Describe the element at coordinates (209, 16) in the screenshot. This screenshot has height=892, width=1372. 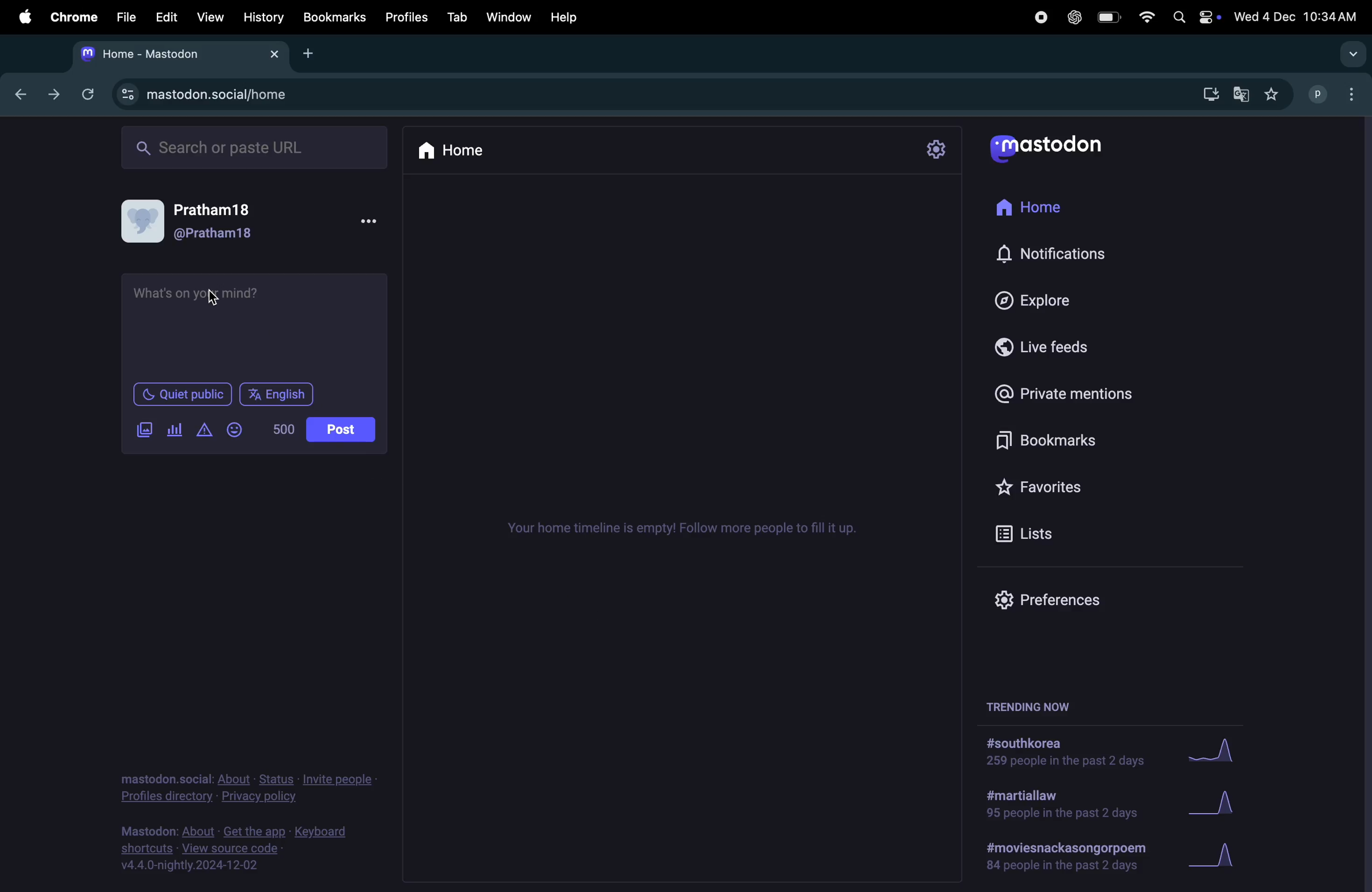
I see `View` at that location.